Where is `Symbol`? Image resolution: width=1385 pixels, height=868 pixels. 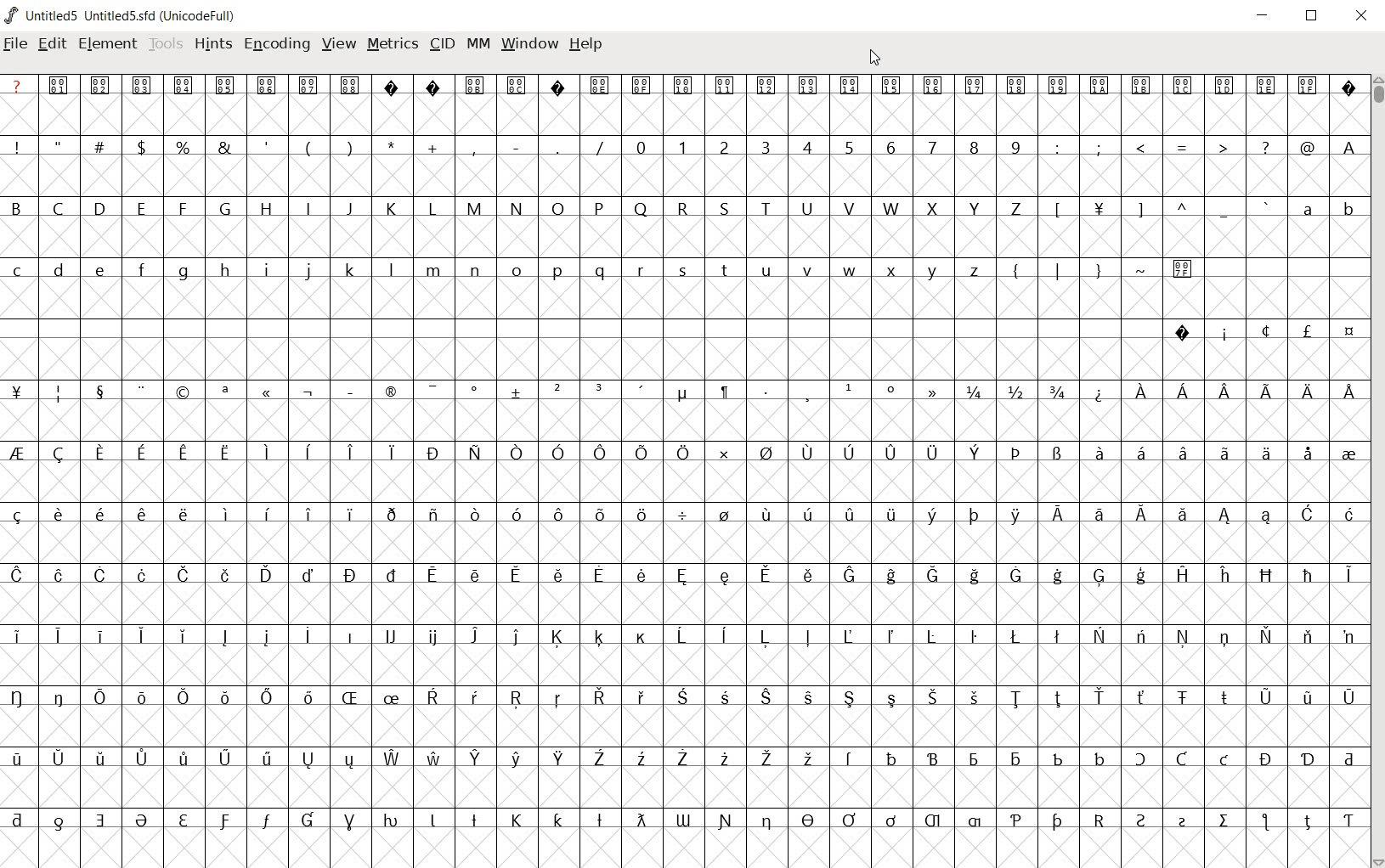
Symbol is located at coordinates (1226, 637).